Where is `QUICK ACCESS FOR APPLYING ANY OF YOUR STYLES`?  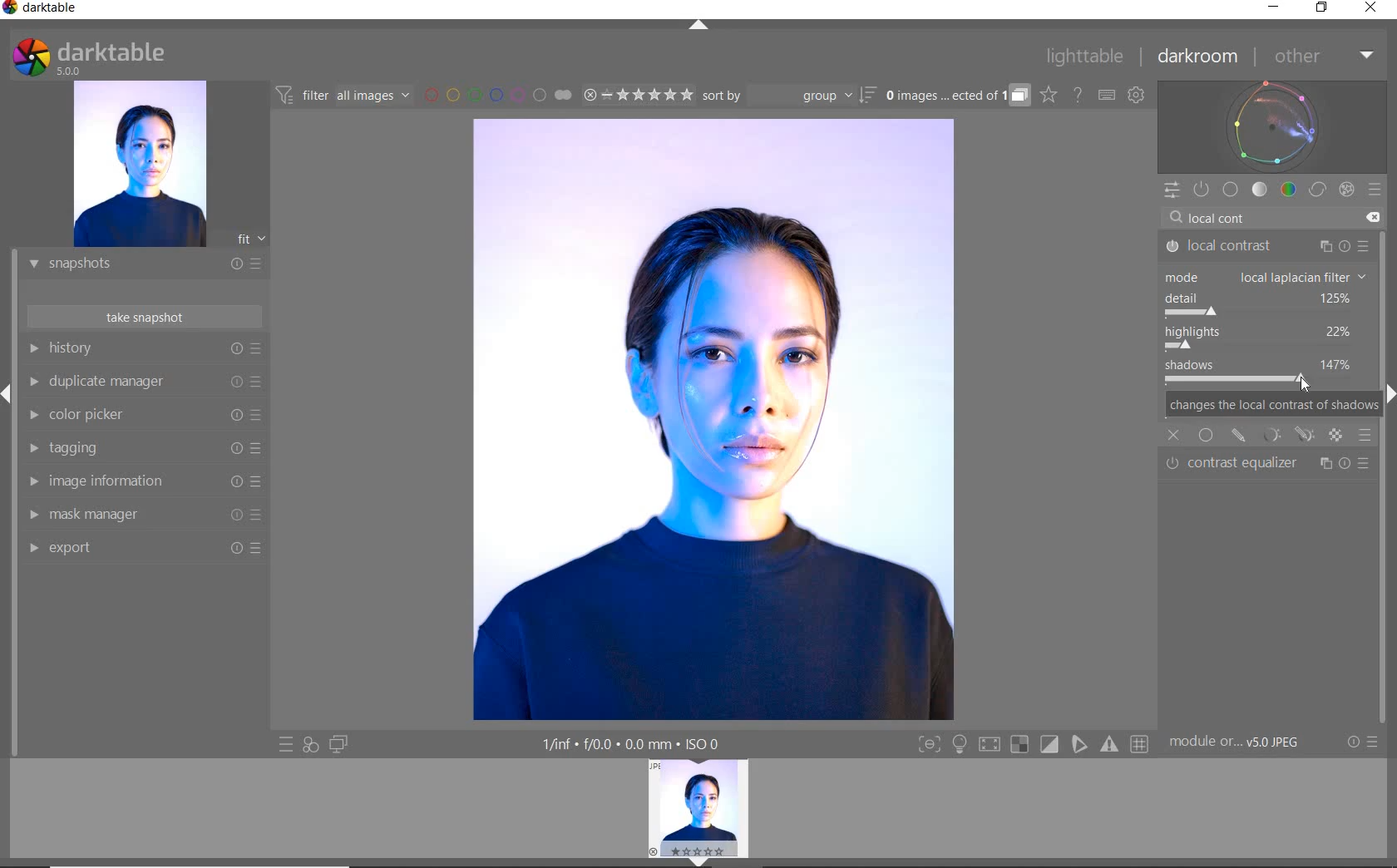
QUICK ACCESS FOR APPLYING ANY OF YOUR STYLES is located at coordinates (309, 744).